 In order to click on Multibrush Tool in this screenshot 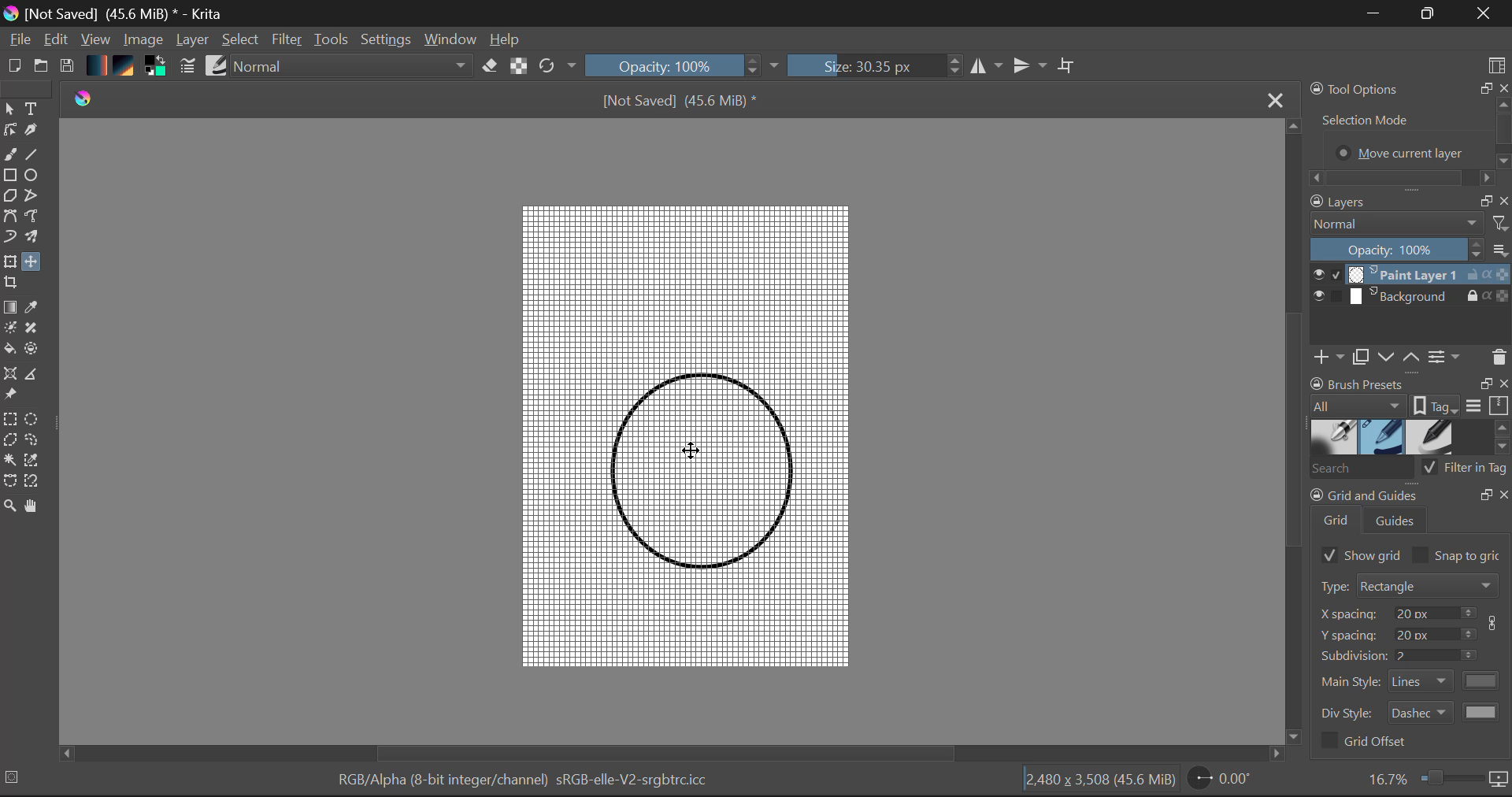, I will do `click(38, 240)`.